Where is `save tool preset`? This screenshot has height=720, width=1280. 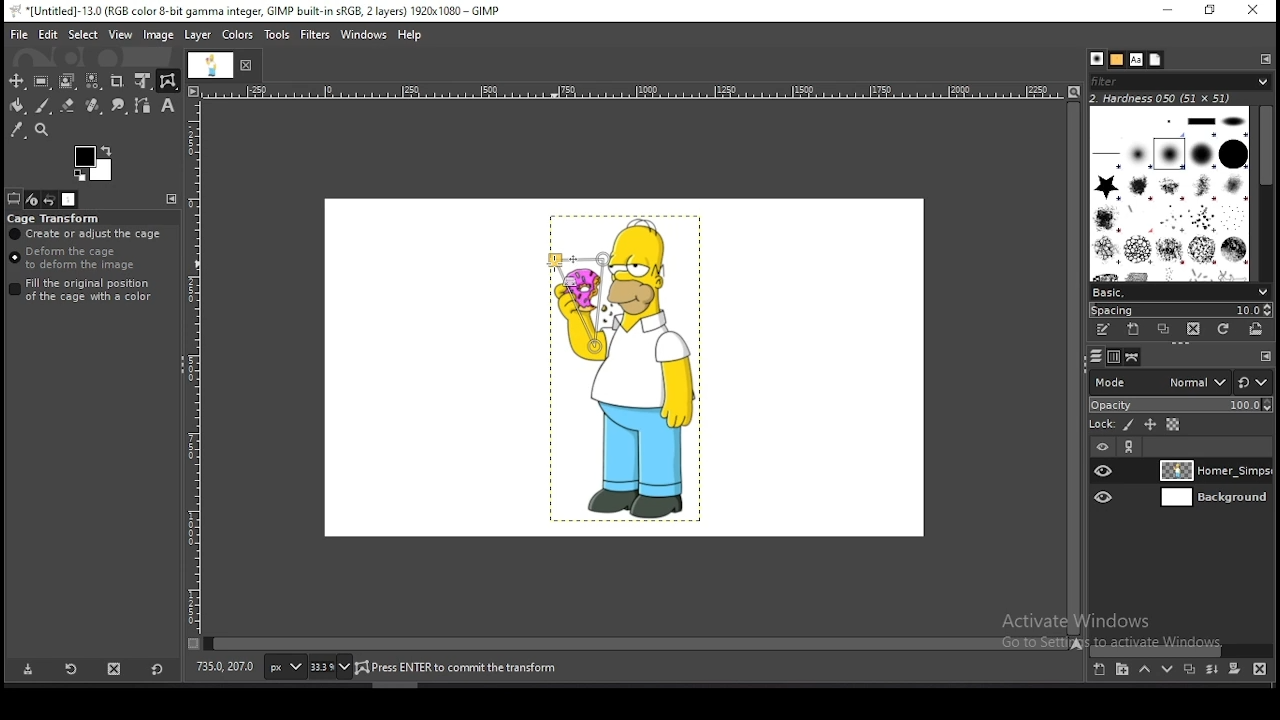 save tool preset is located at coordinates (28, 670).